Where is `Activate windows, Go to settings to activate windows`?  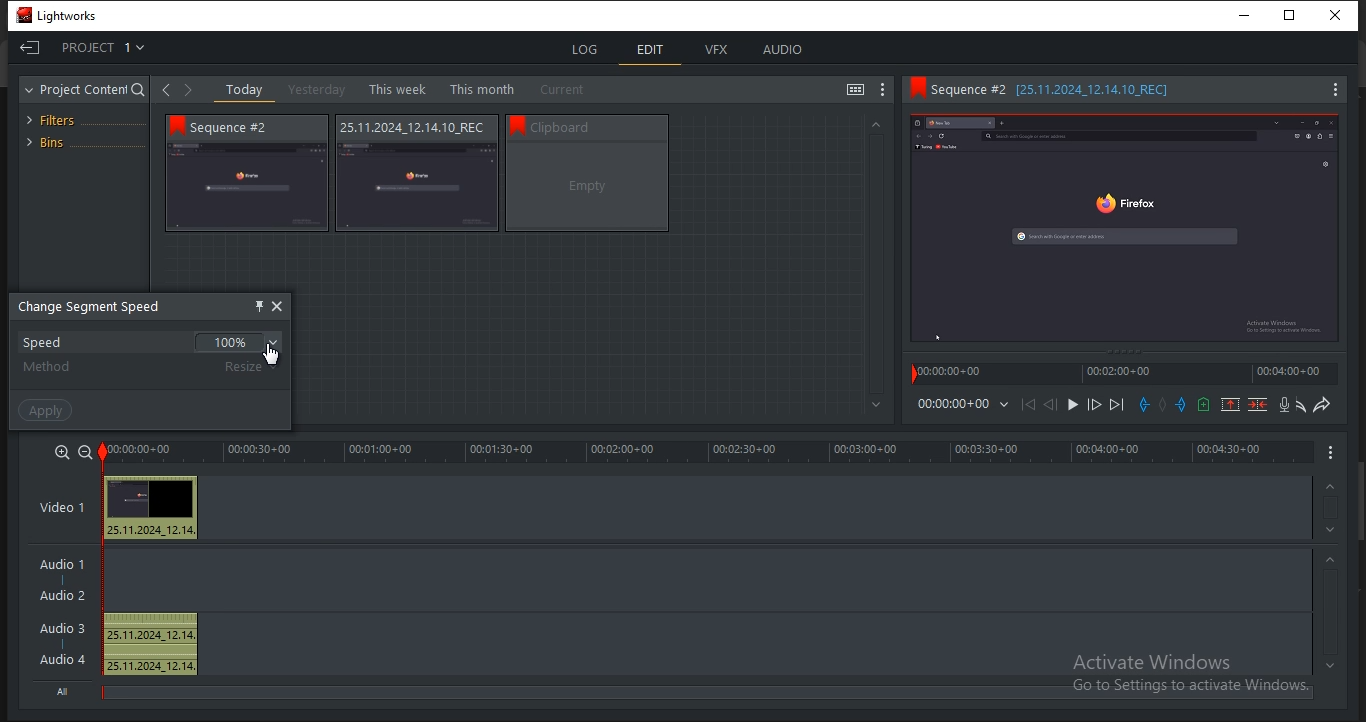 Activate windows, Go to settings to activate windows is located at coordinates (1189, 674).